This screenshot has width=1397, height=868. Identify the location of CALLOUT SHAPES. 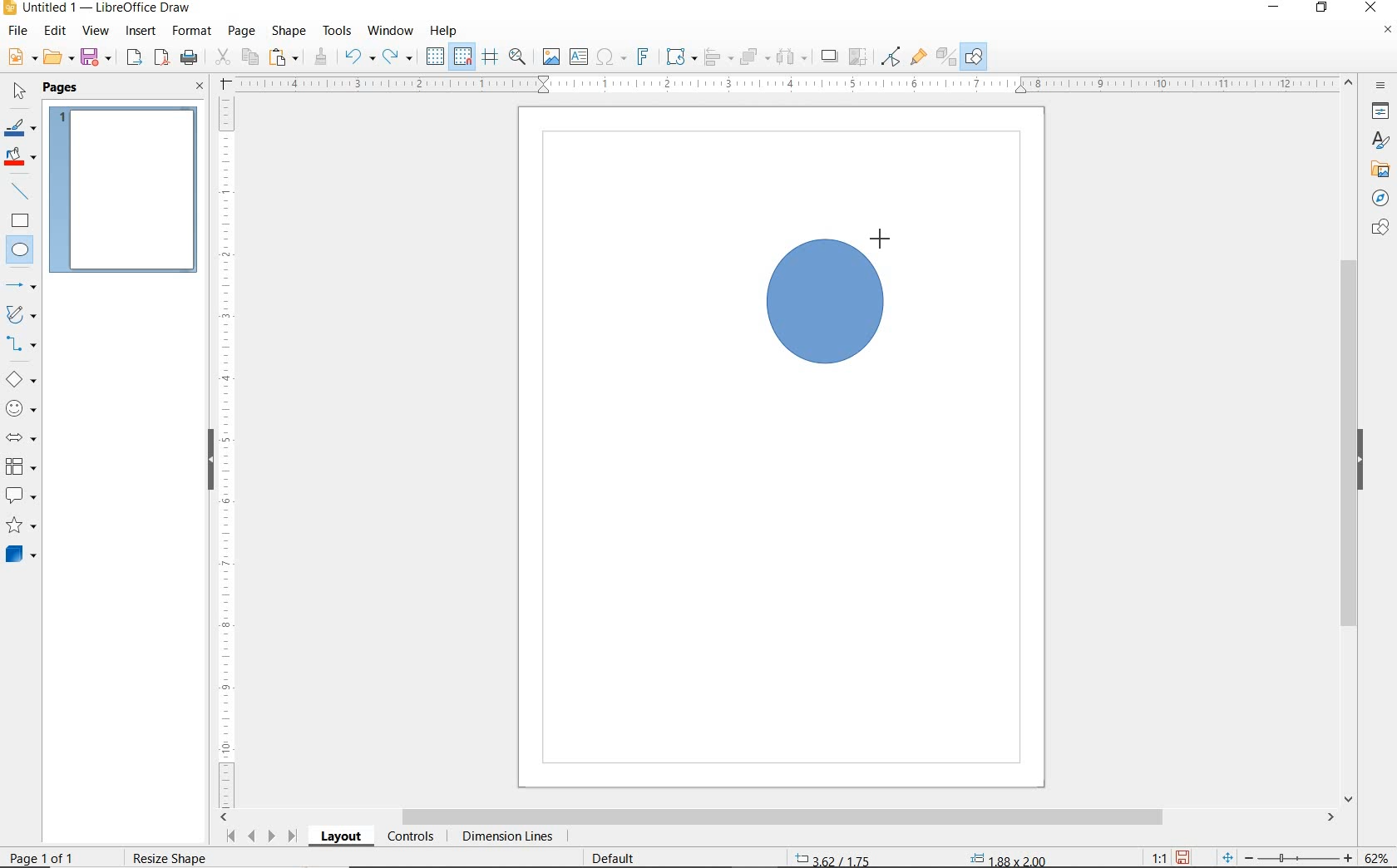
(20, 496).